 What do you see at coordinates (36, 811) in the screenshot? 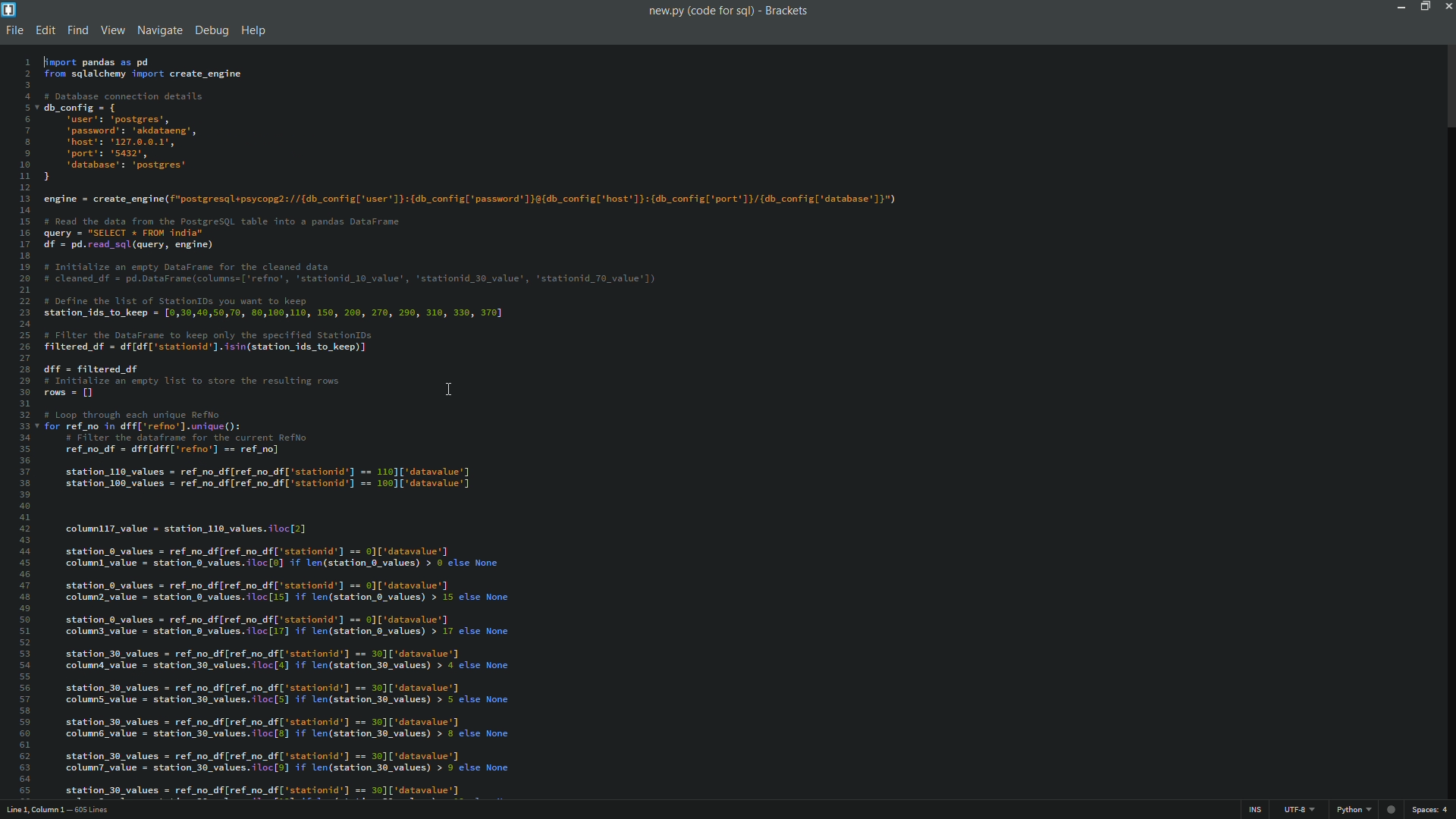
I see `cursor position` at bounding box center [36, 811].